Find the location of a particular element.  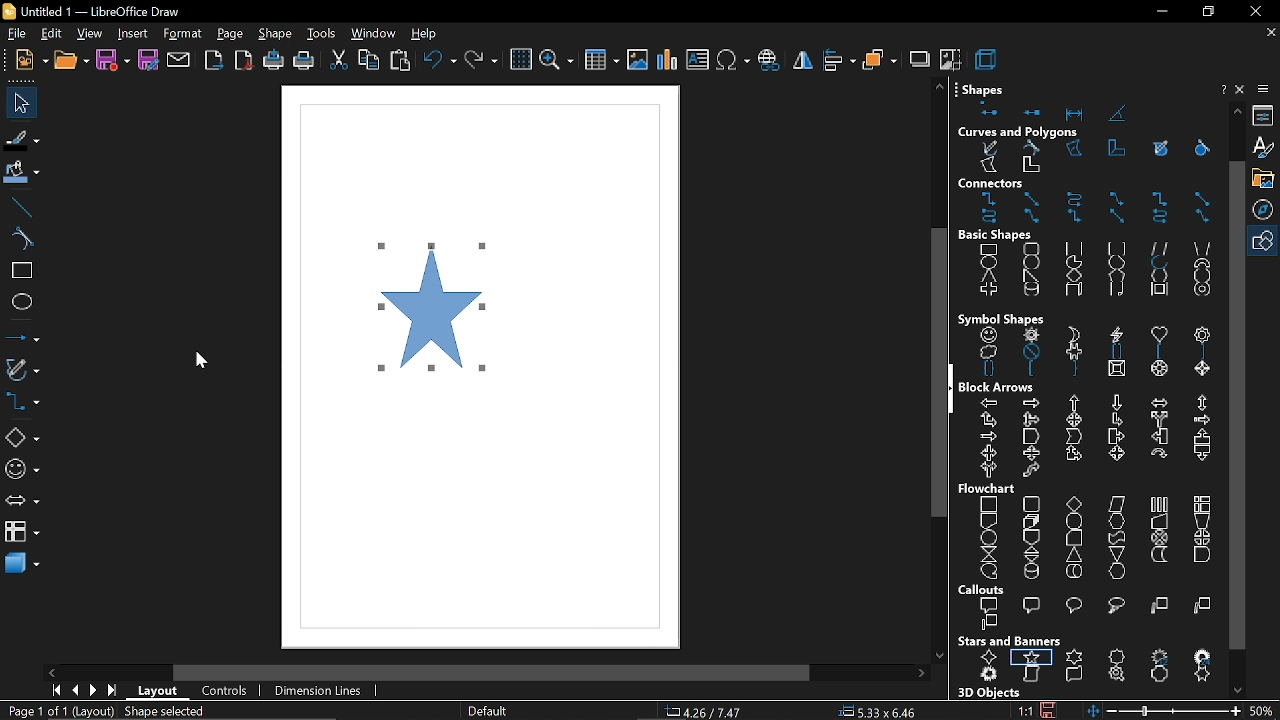

shapes is located at coordinates (1091, 112).